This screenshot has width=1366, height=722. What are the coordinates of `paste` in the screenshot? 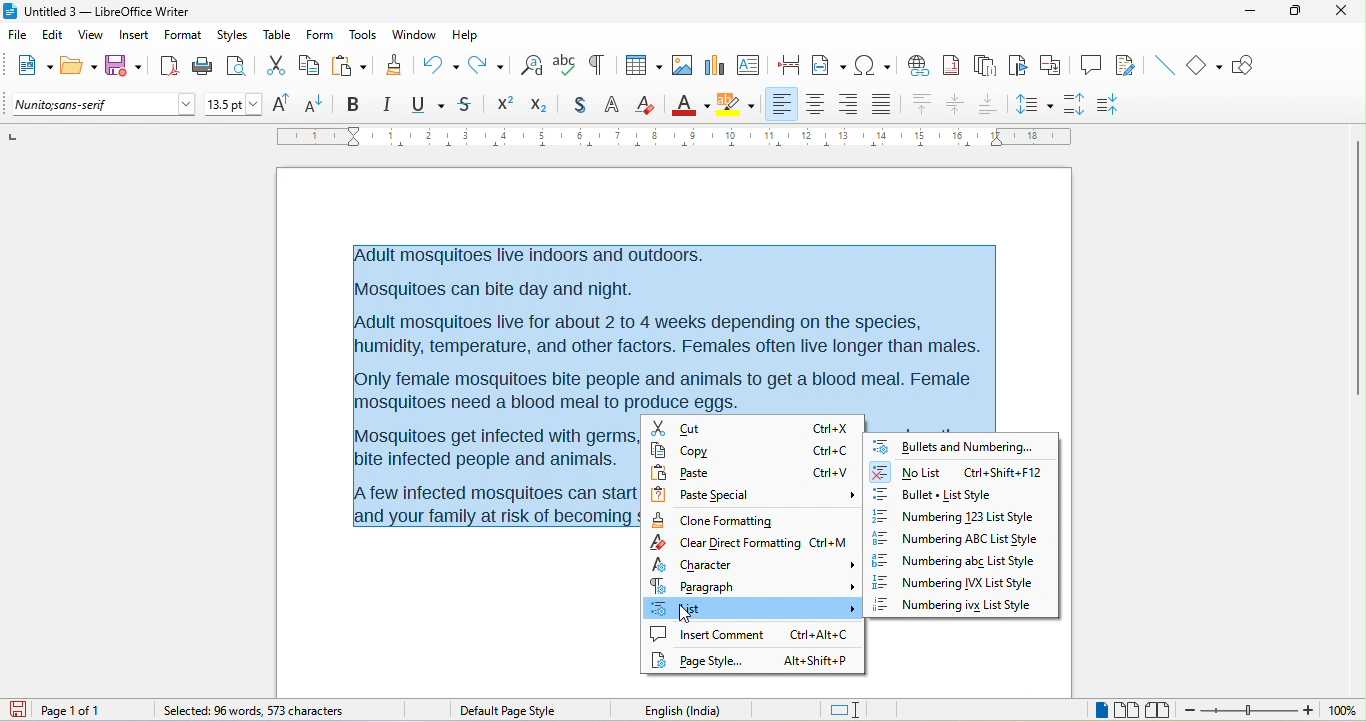 It's located at (355, 64).